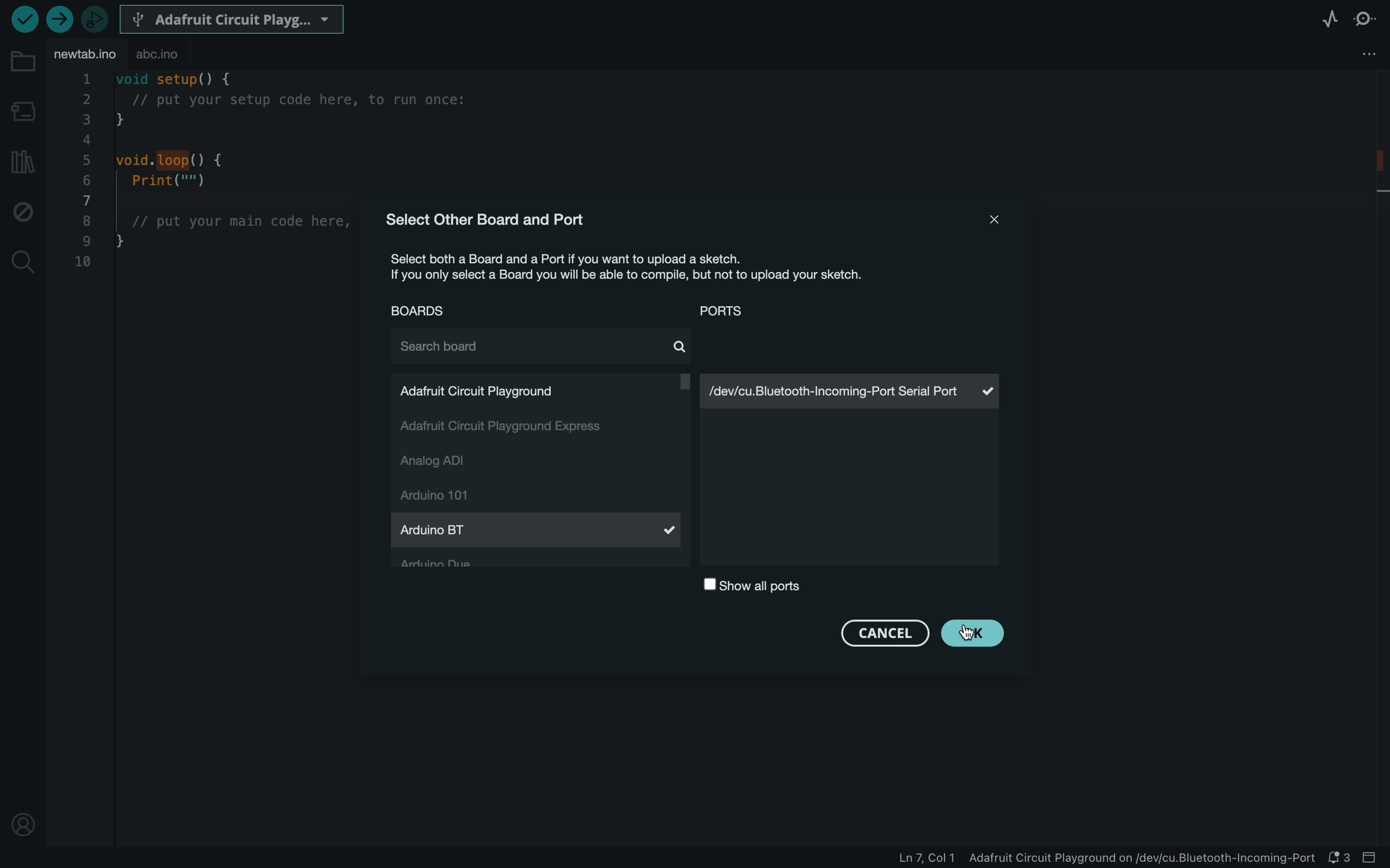  What do you see at coordinates (1340, 859) in the screenshot?
I see `notification` at bounding box center [1340, 859].